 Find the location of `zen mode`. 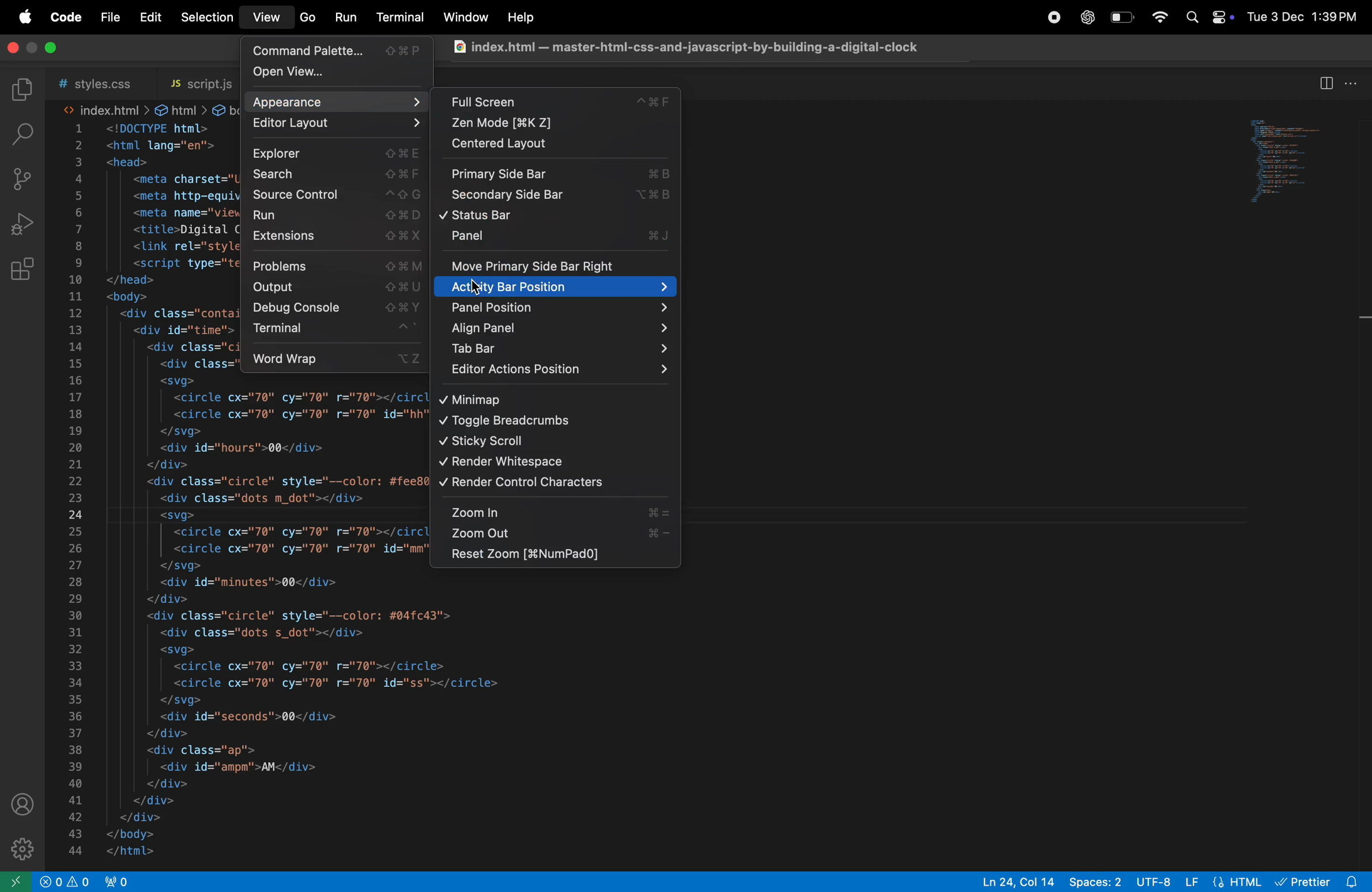

zen mode is located at coordinates (555, 124).